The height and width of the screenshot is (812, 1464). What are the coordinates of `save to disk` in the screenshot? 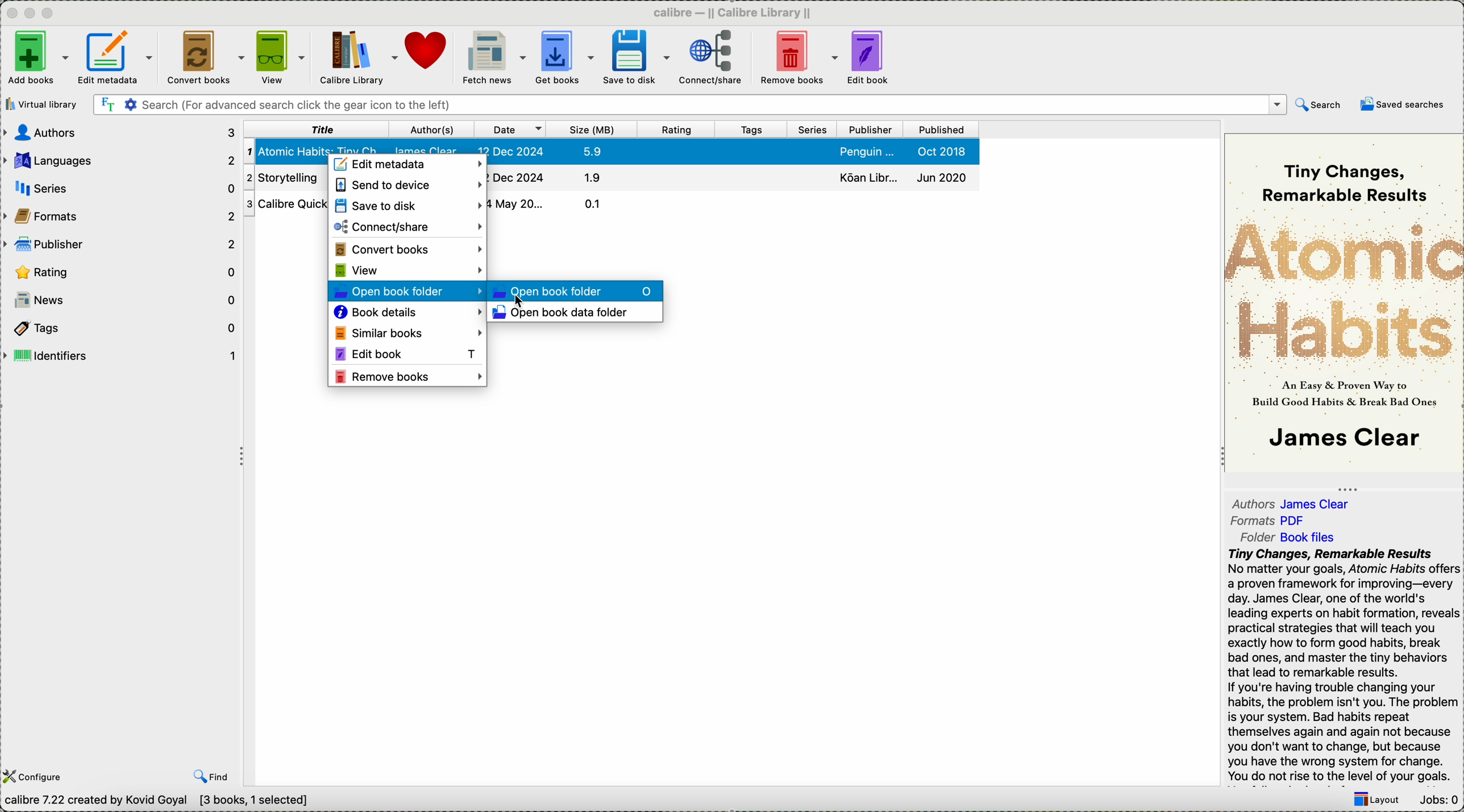 It's located at (636, 57).